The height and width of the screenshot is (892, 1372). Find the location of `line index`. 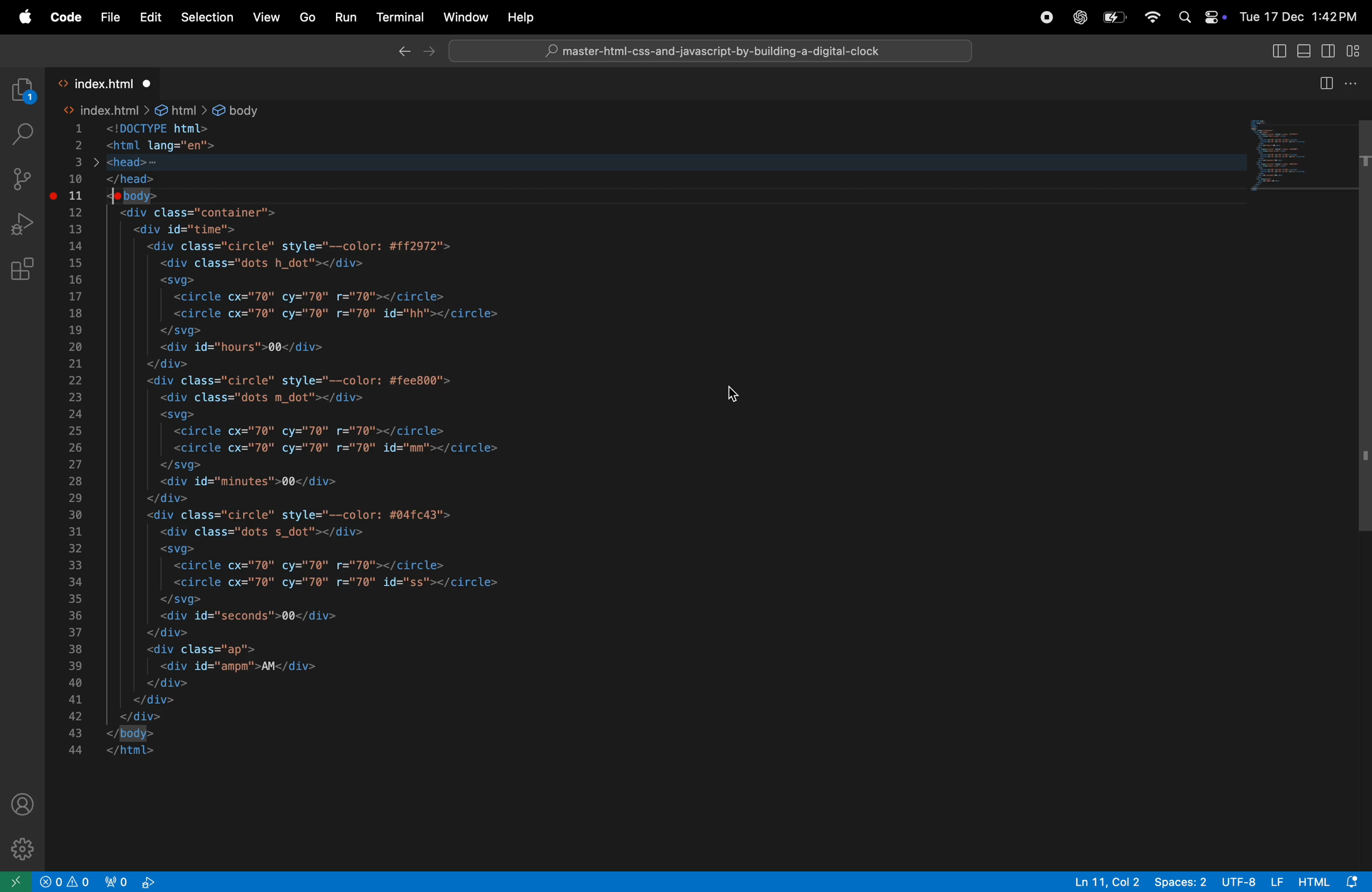

line index is located at coordinates (80, 439).